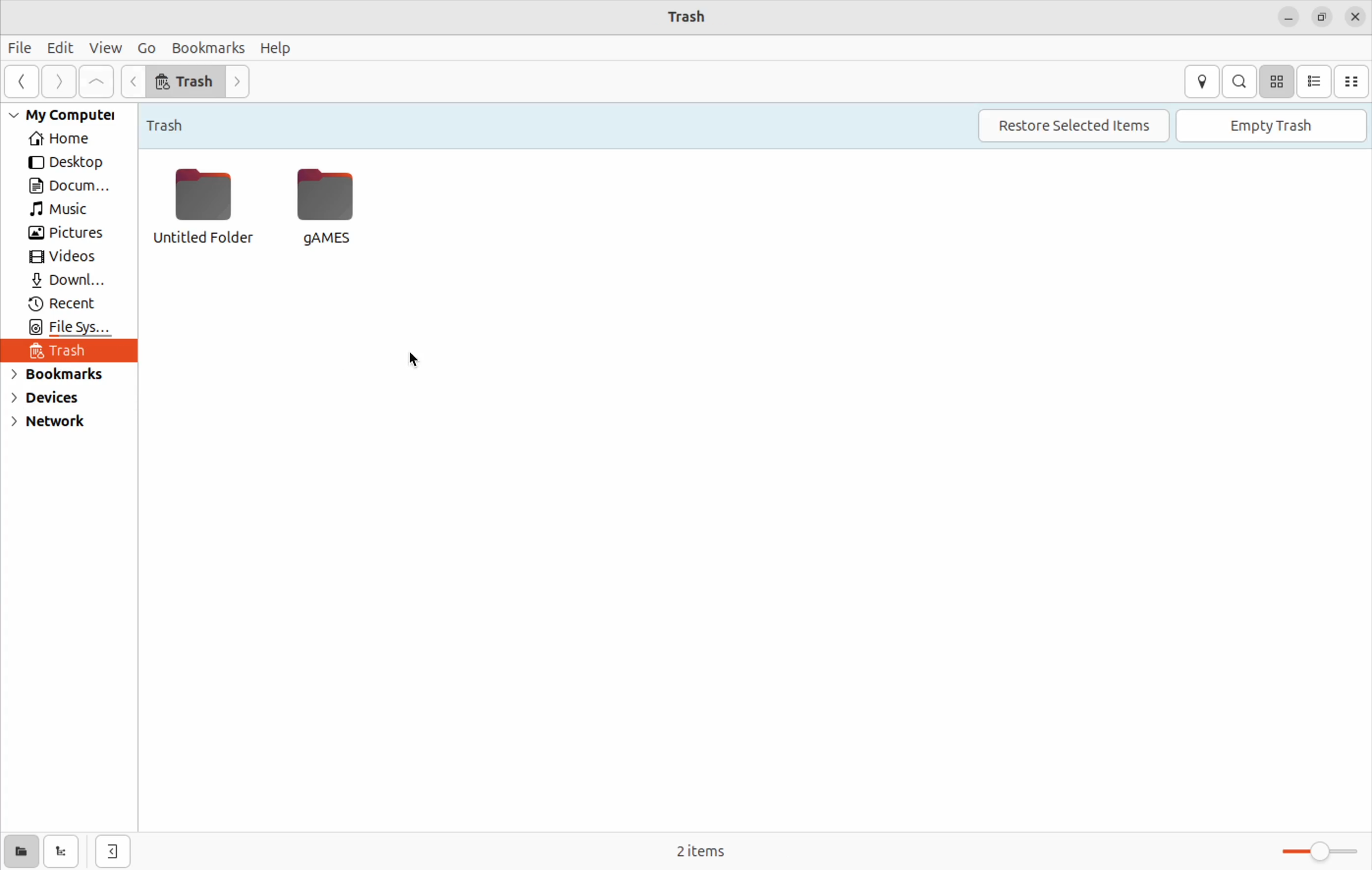 The height and width of the screenshot is (870, 1372). What do you see at coordinates (18, 83) in the screenshot?
I see `back` at bounding box center [18, 83].